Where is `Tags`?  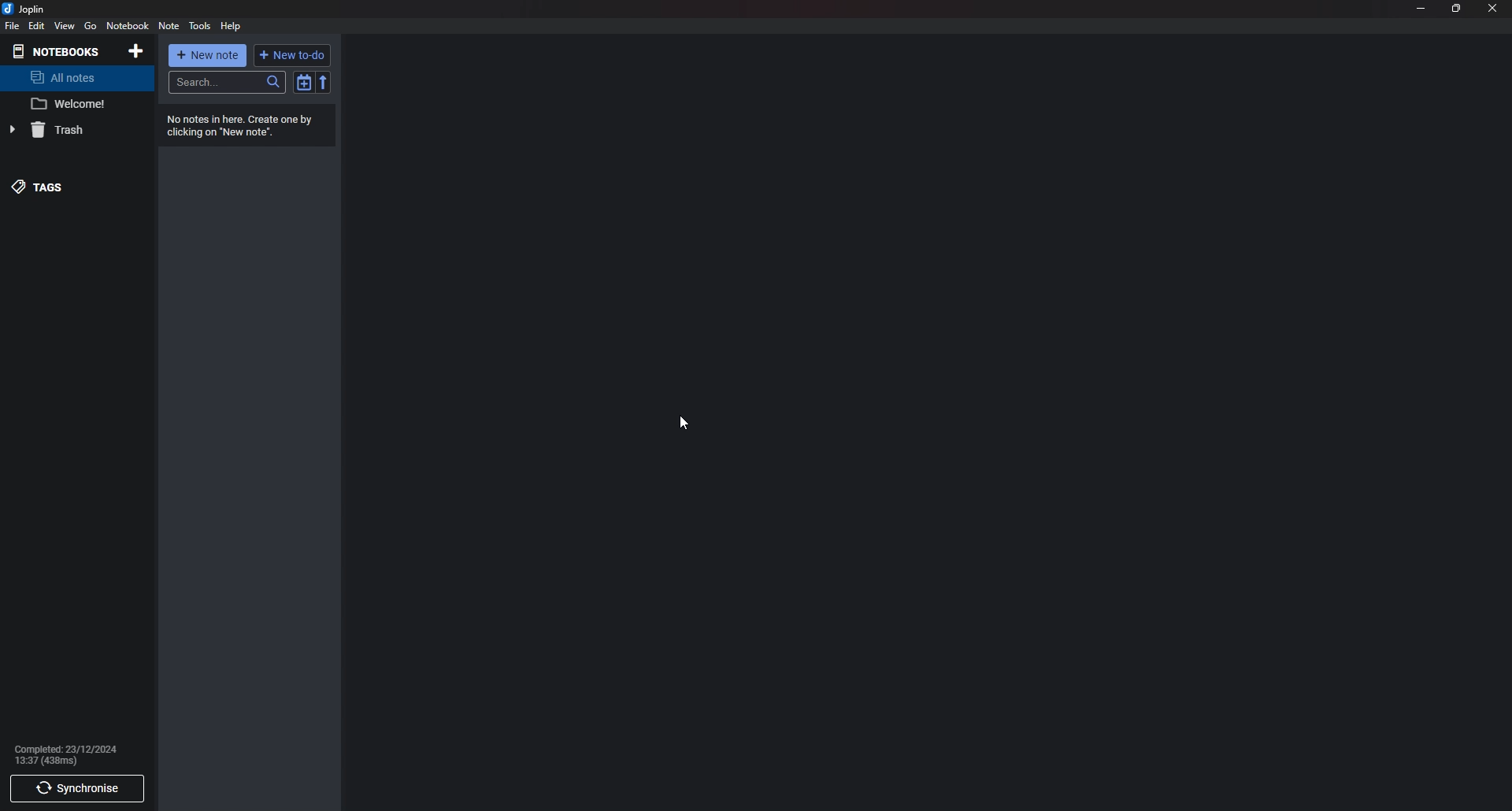
Tags is located at coordinates (72, 186).